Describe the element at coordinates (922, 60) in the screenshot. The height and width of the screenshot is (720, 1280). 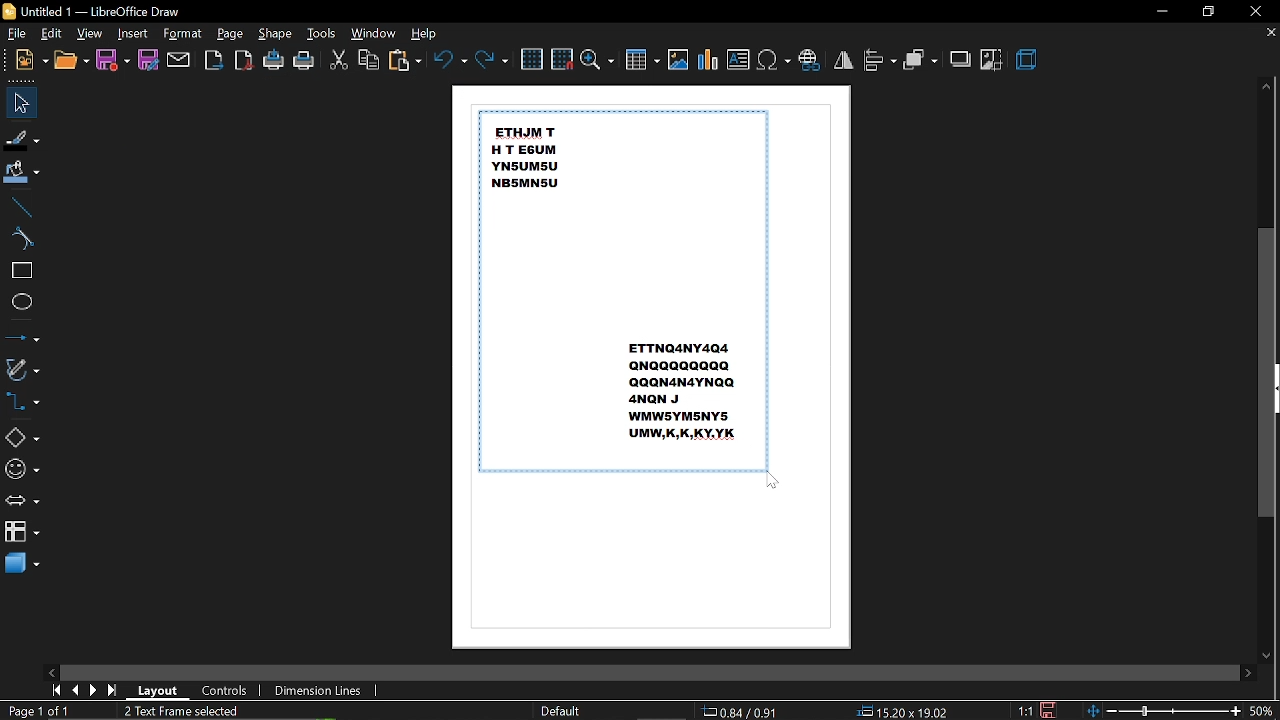
I see `arrange` at that location.